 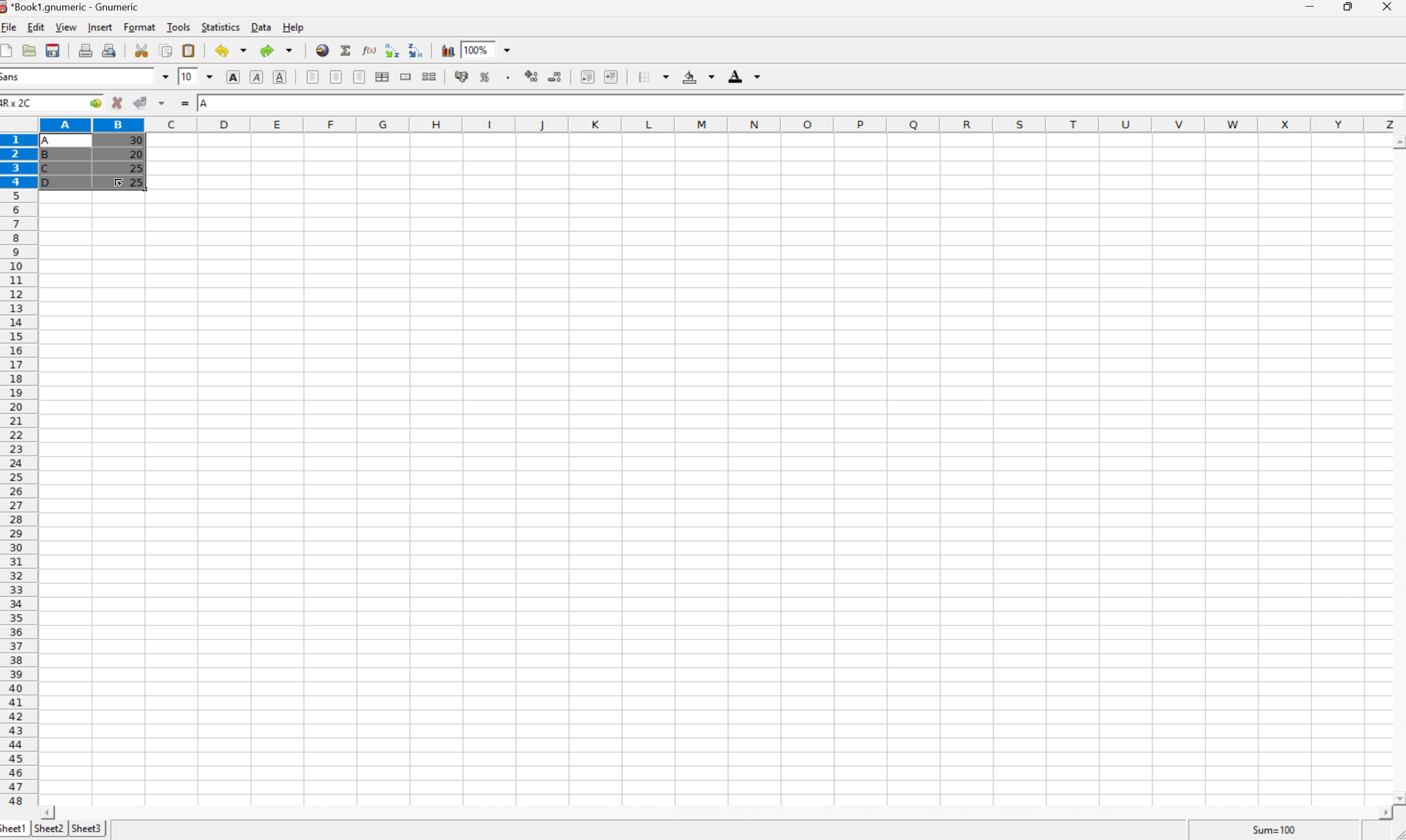 What do you see at coordinates (313, 78) in the screenshot?
I see `Align Left` at bounding box center [313, 78].